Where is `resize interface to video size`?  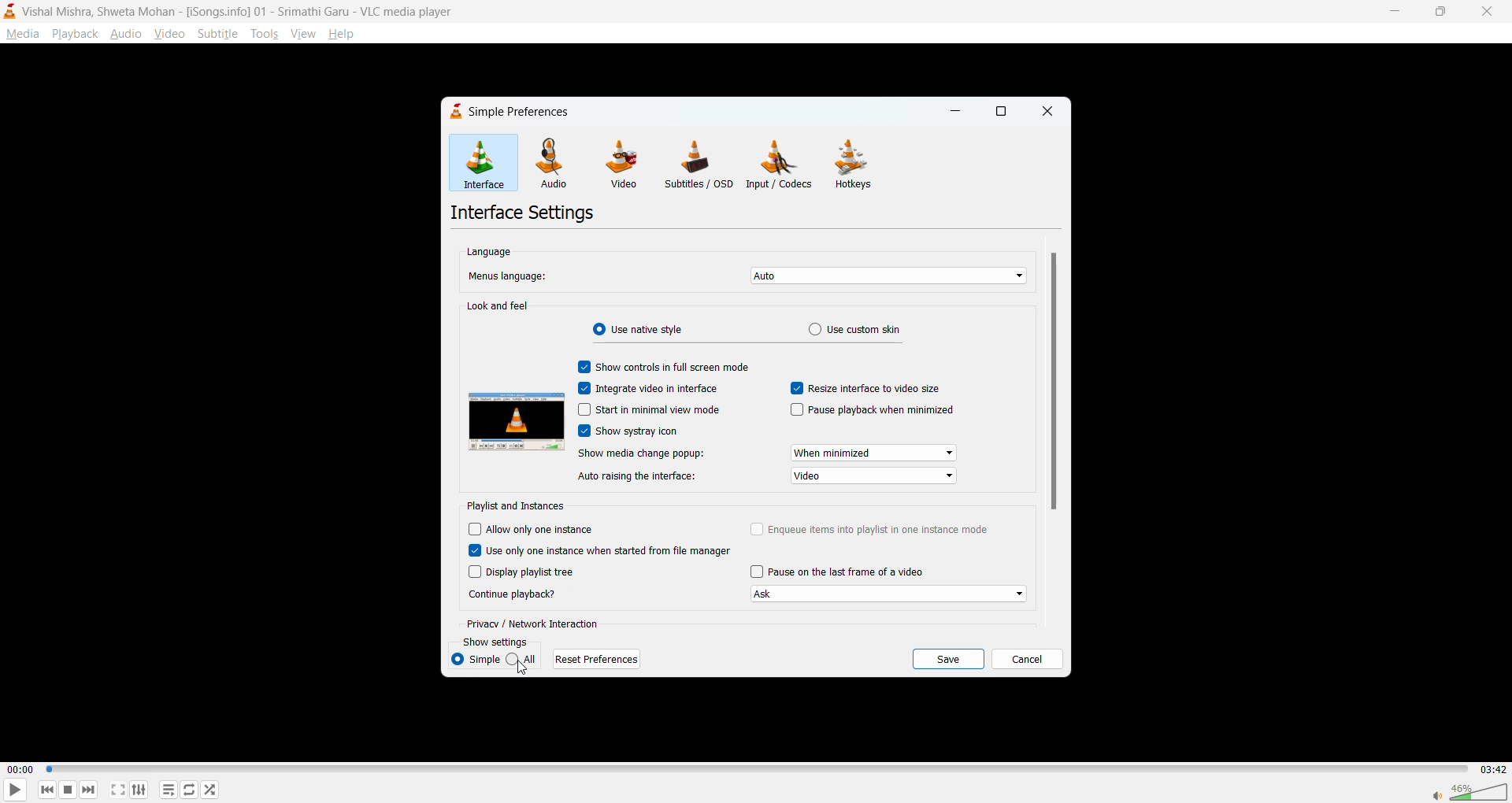
resize interface to video size is located at coordinates (870, 389).